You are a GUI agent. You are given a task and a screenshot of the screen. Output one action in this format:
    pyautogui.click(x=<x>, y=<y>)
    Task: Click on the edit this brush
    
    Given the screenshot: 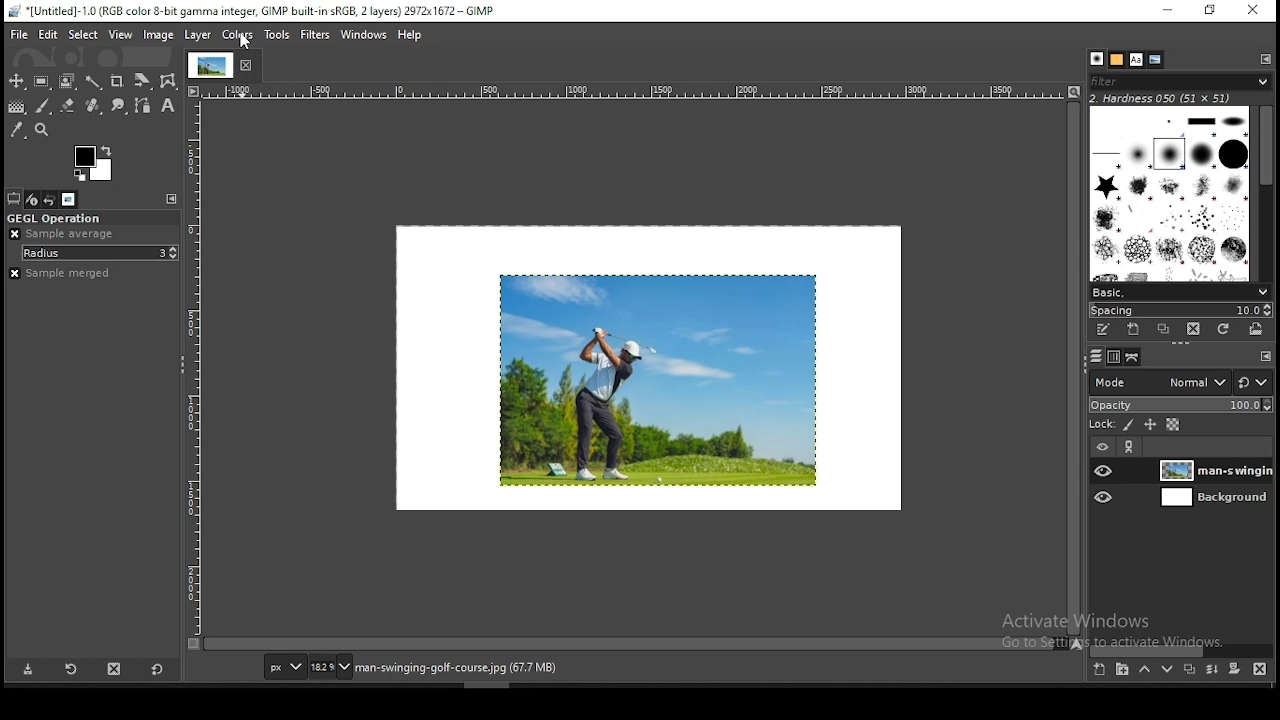 What is the action you would take?
    pyautogui.click(x=1101, y=331)
    